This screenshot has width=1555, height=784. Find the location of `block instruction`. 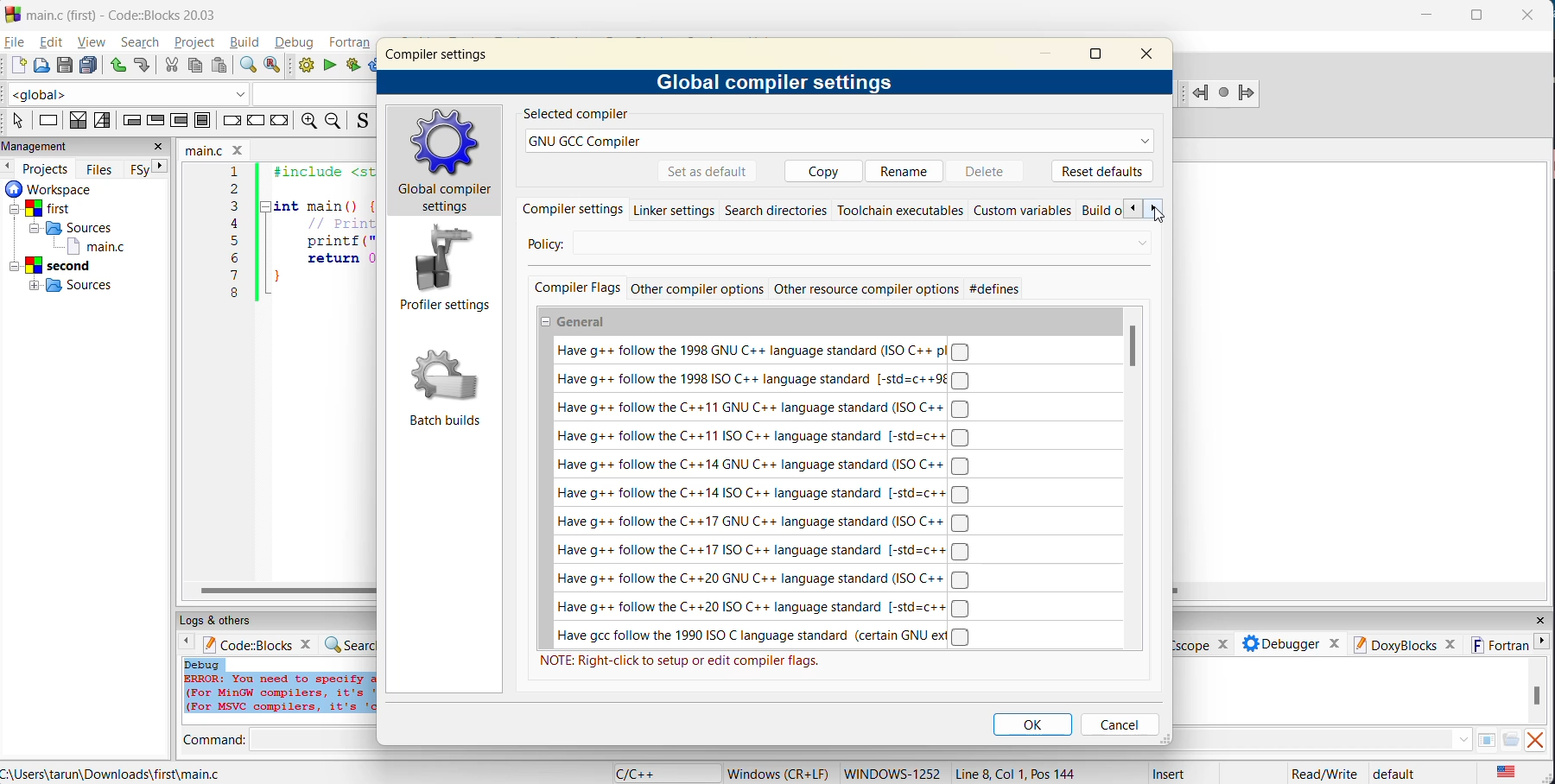

block instruction is located at coordinates (202, 121).